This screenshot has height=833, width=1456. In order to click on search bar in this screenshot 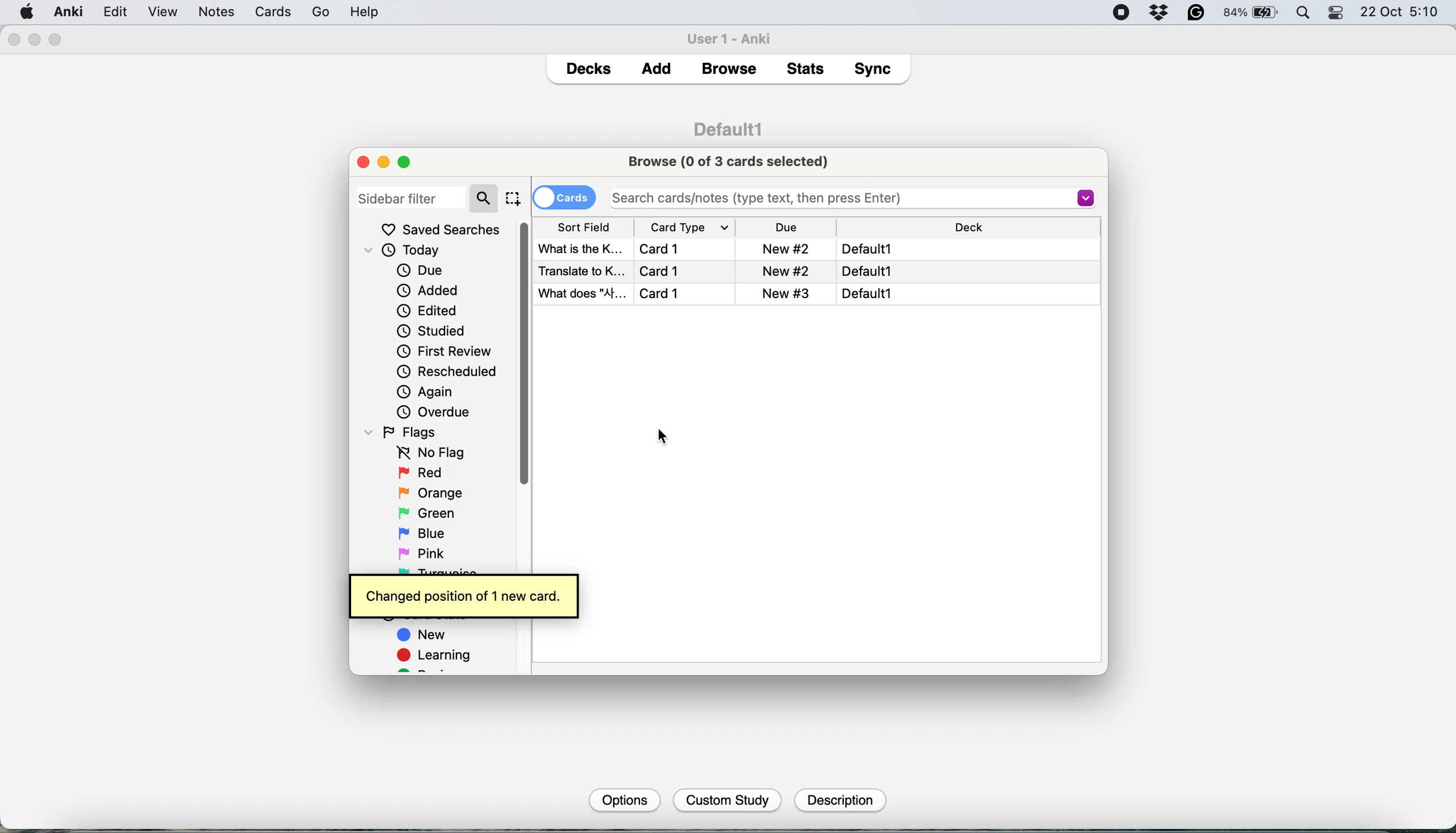, I will do `click(848, 197)`.